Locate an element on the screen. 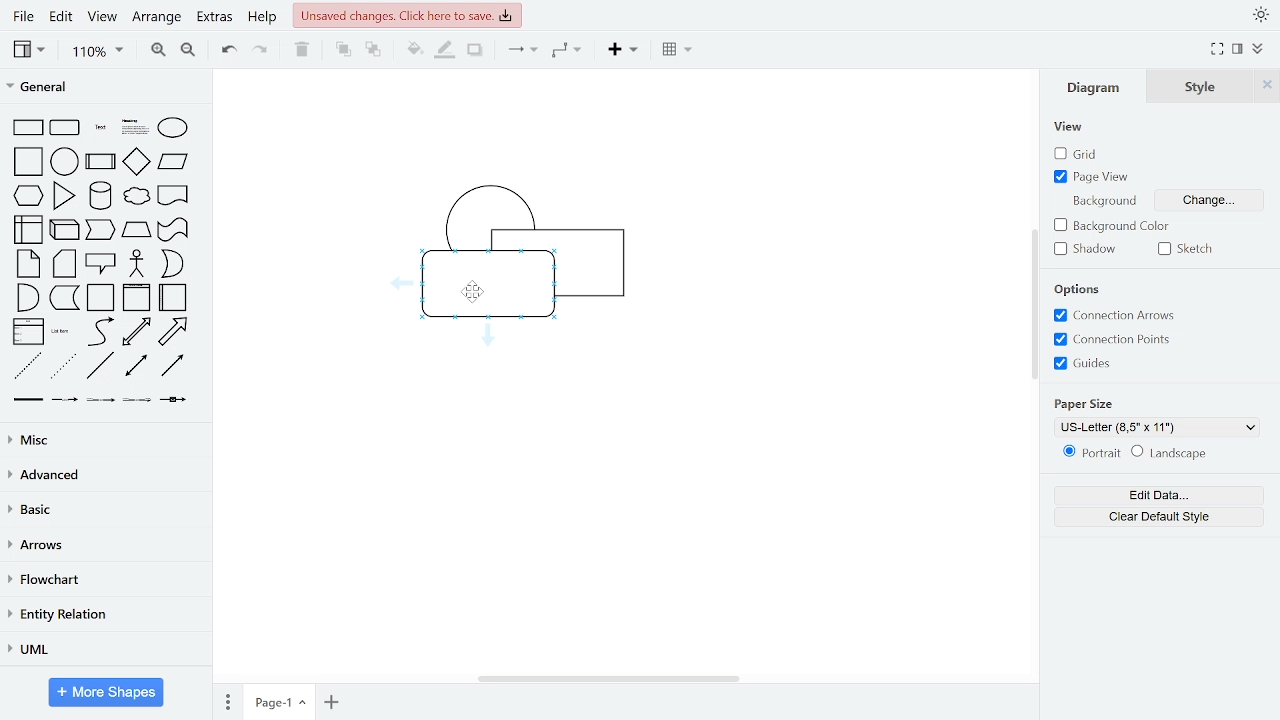 This screenshot has height=720, width=1280. dashed line is located at coordinates (27, 366).